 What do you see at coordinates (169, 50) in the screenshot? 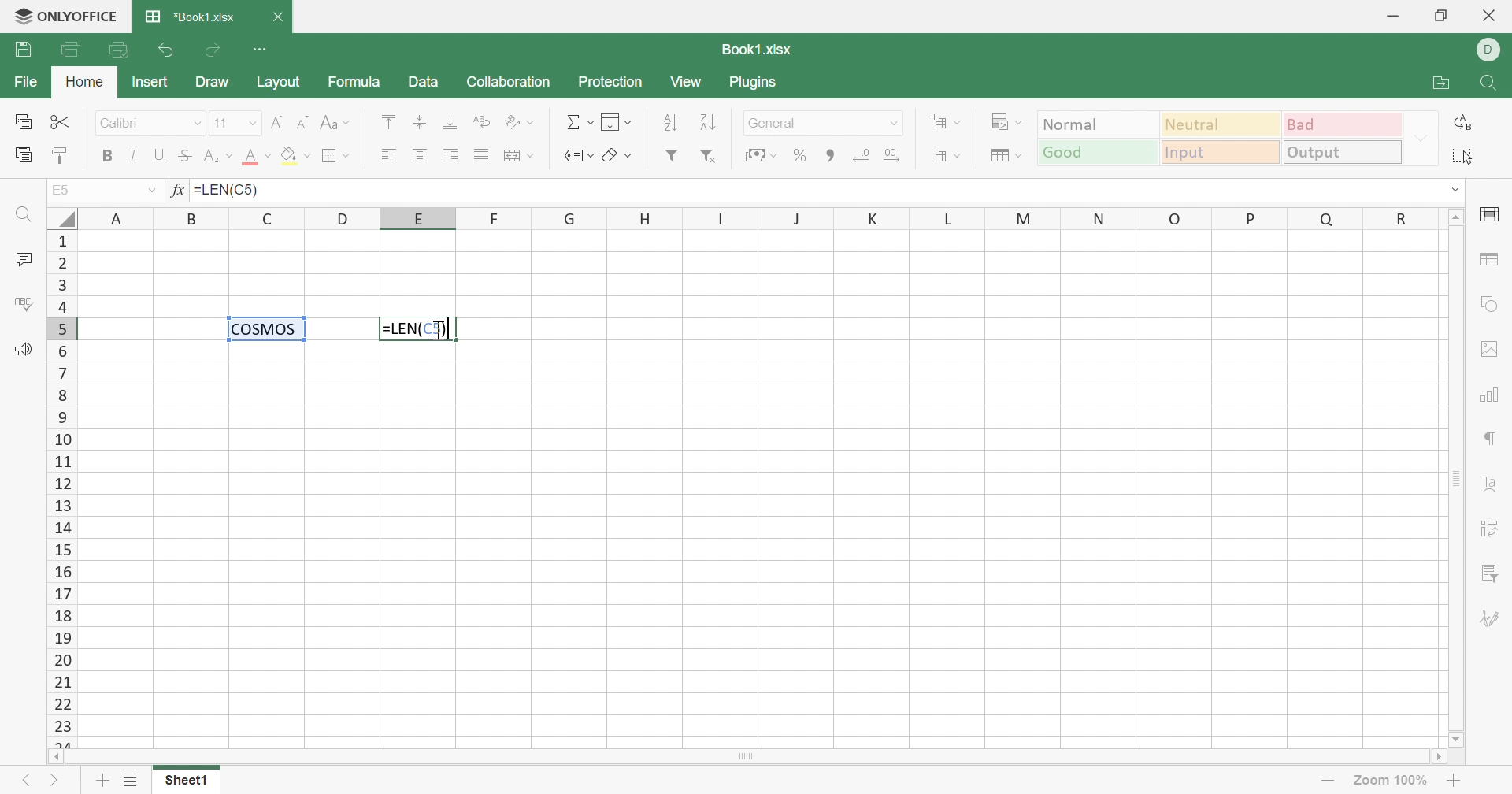
I see `Undo` at bounding box center [169, 50].